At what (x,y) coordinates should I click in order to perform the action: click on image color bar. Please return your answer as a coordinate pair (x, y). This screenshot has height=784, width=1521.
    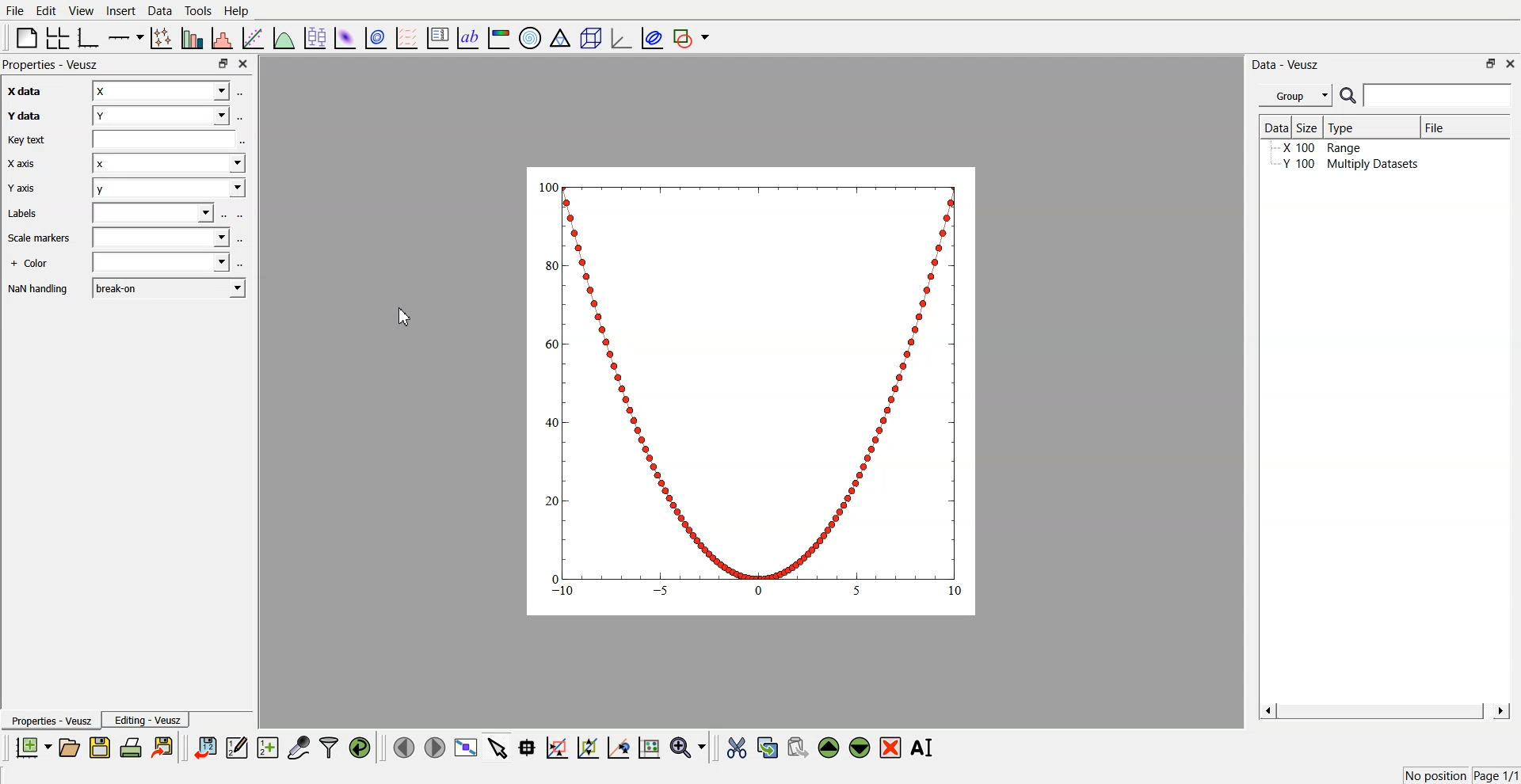
    Looking at the image, I should click on (498, 39).